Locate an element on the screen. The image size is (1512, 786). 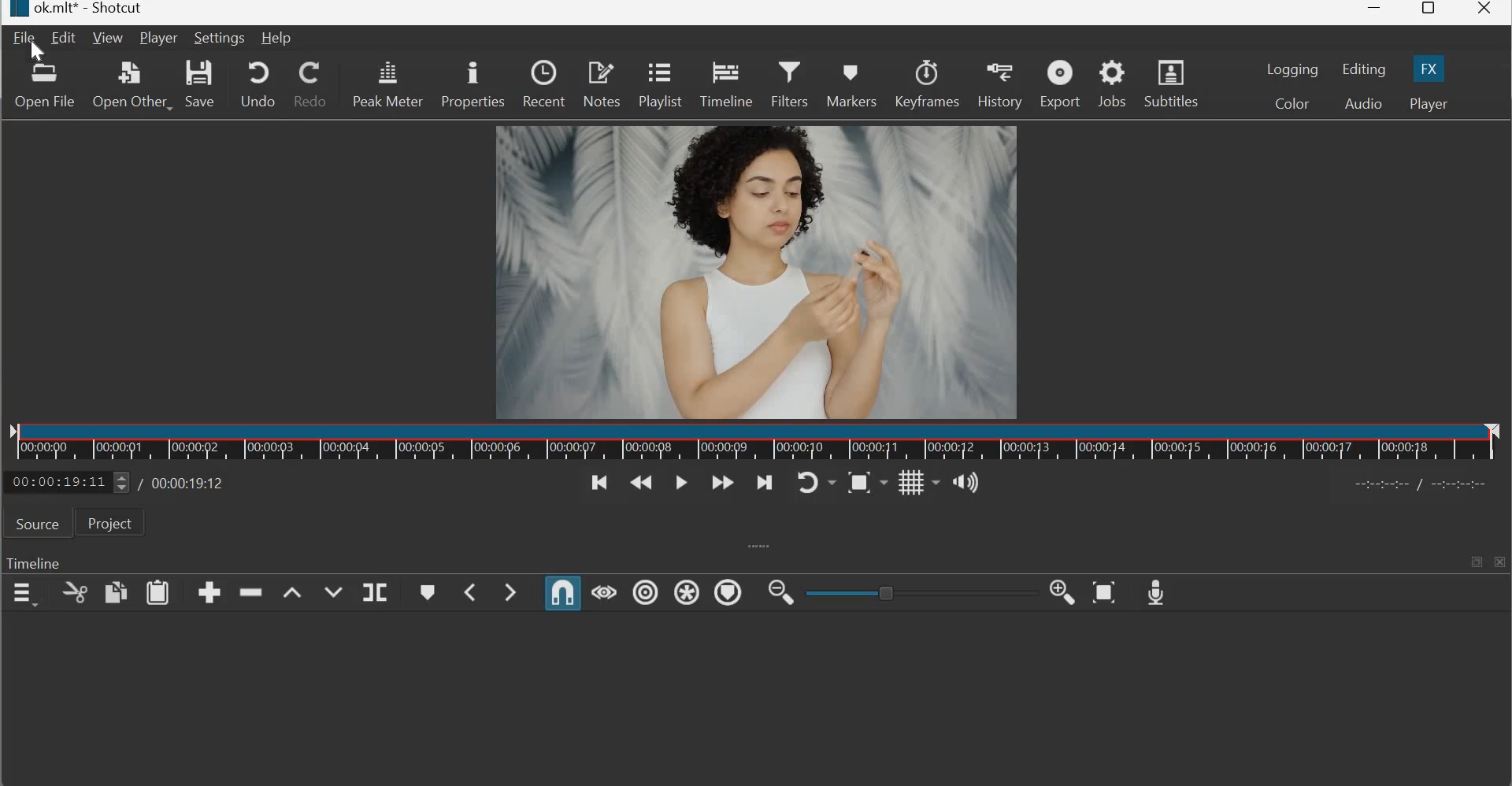
Filters is located at coordinates (790, 82).